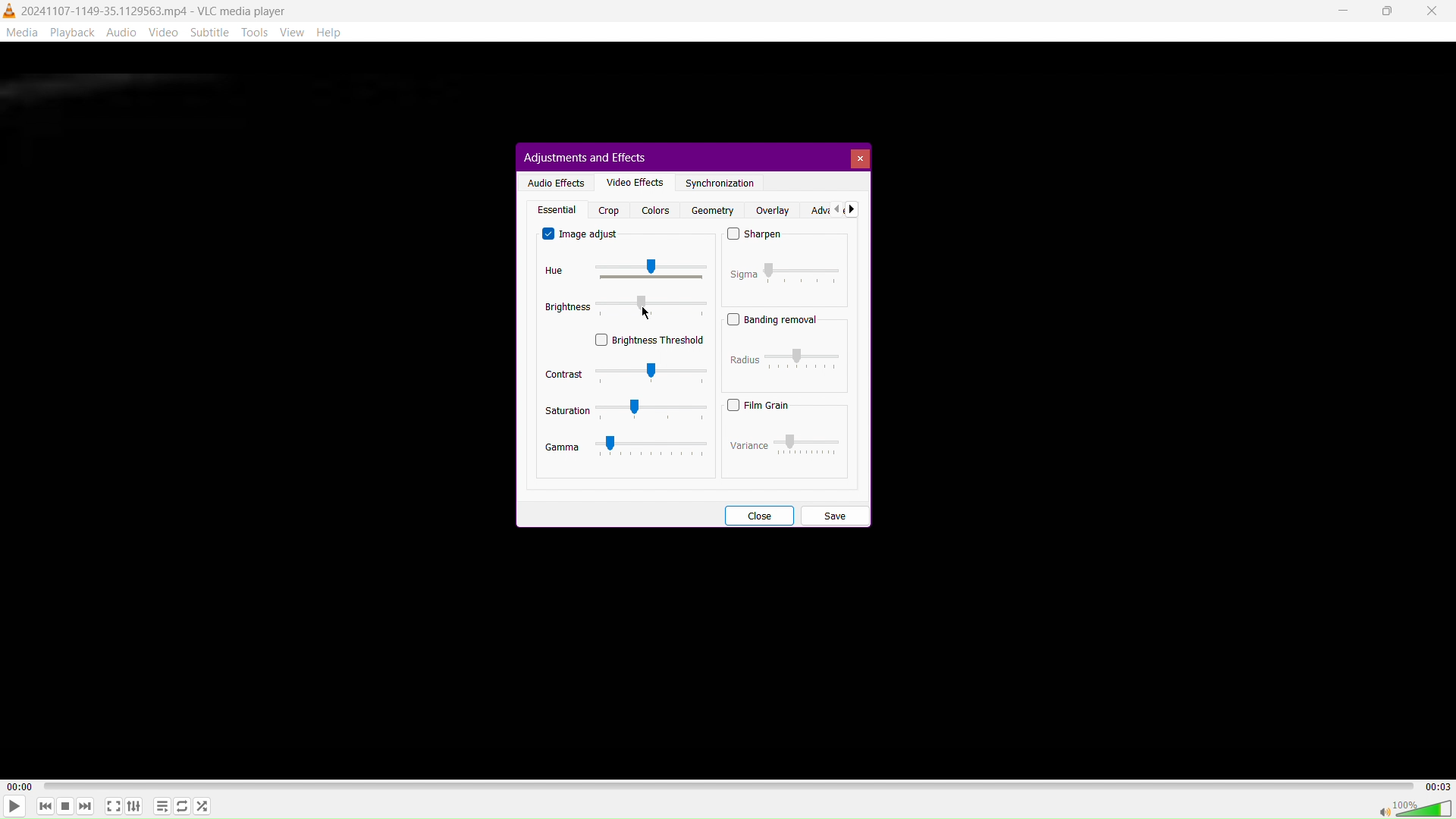  What do you see at coordinates (609, 210) in the screenshot?
I see `Crop` at bounding box center [609, 210].